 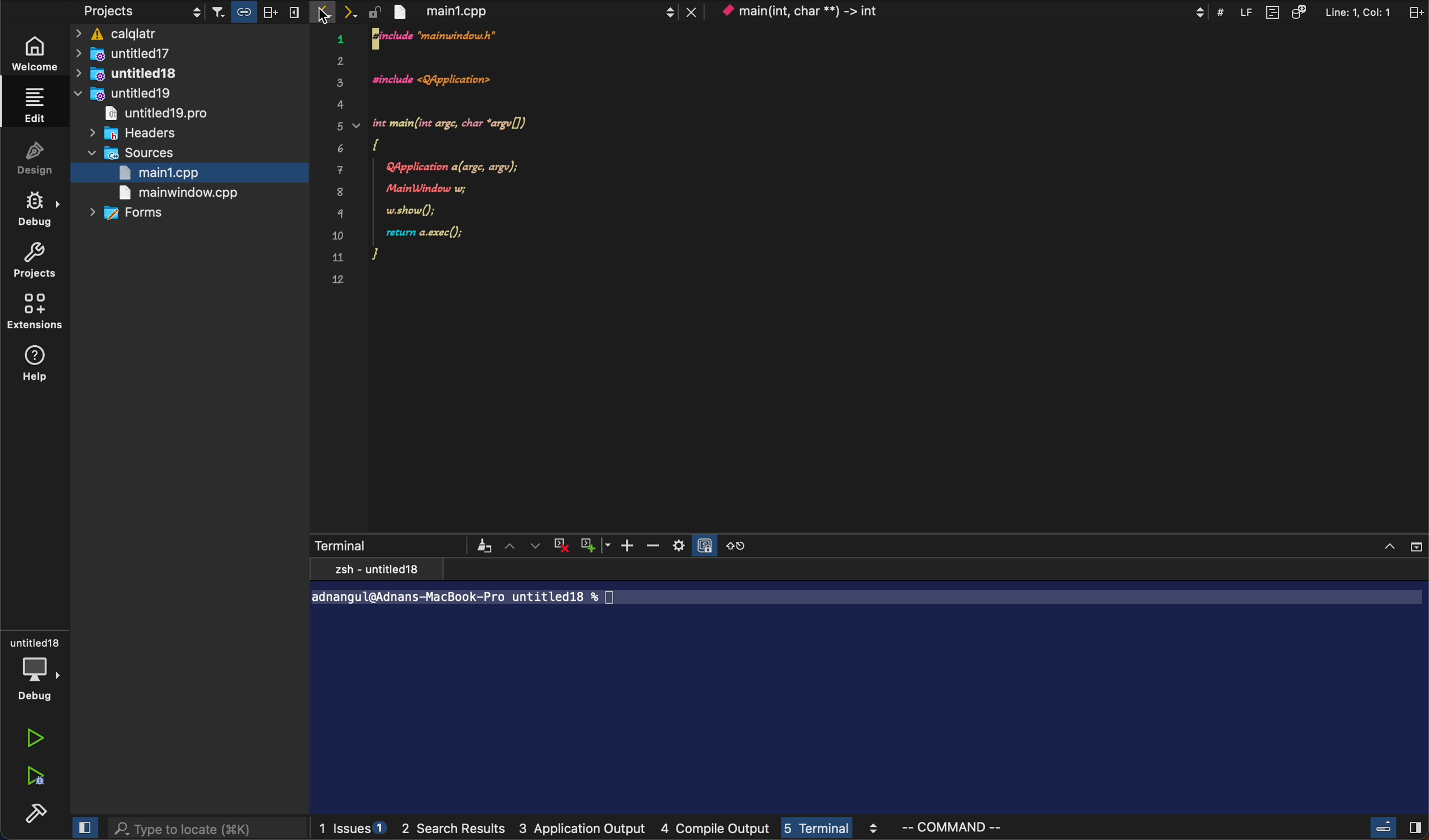 I want to click on filter, so click(x=481, y=546).